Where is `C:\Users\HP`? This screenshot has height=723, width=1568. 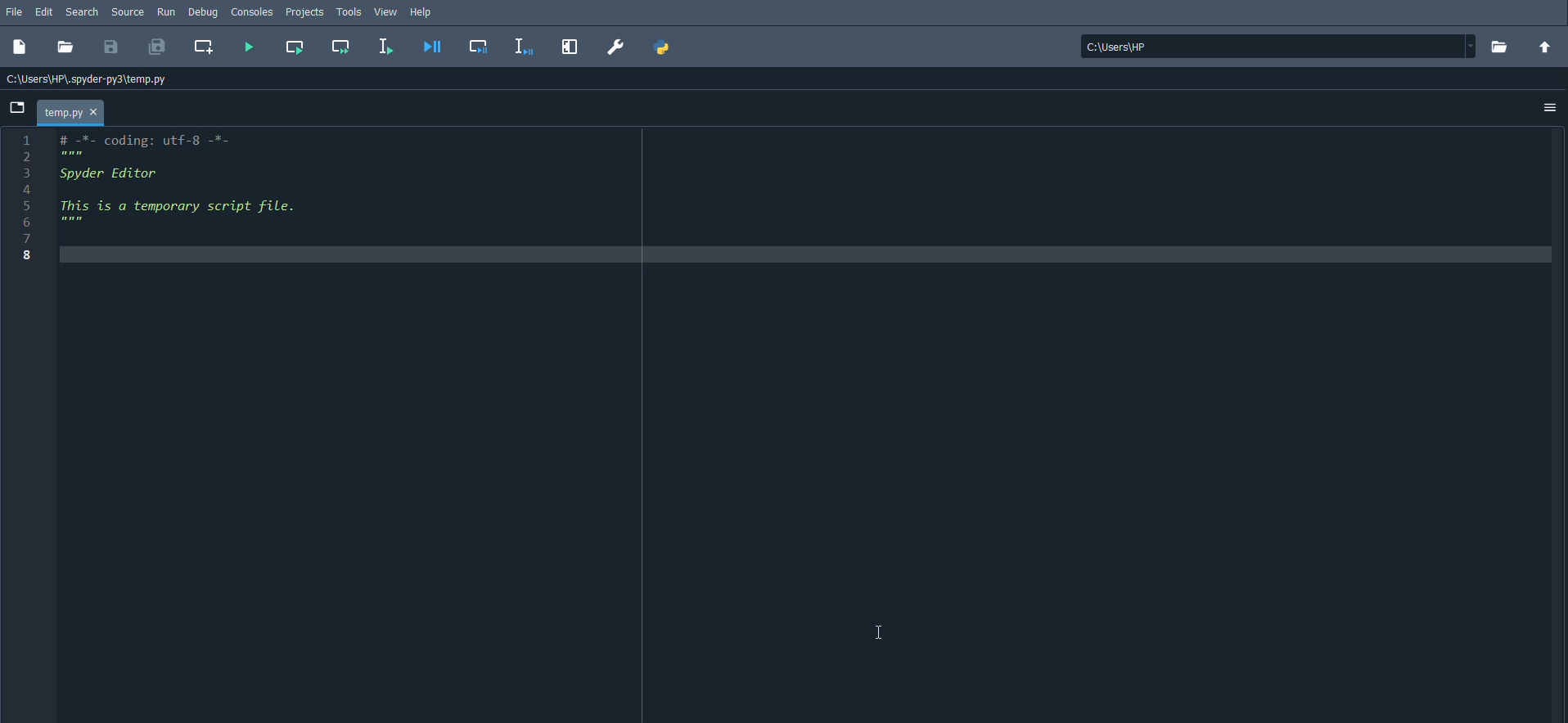
C:\Users\HP is located at coordinates (1274, 46).